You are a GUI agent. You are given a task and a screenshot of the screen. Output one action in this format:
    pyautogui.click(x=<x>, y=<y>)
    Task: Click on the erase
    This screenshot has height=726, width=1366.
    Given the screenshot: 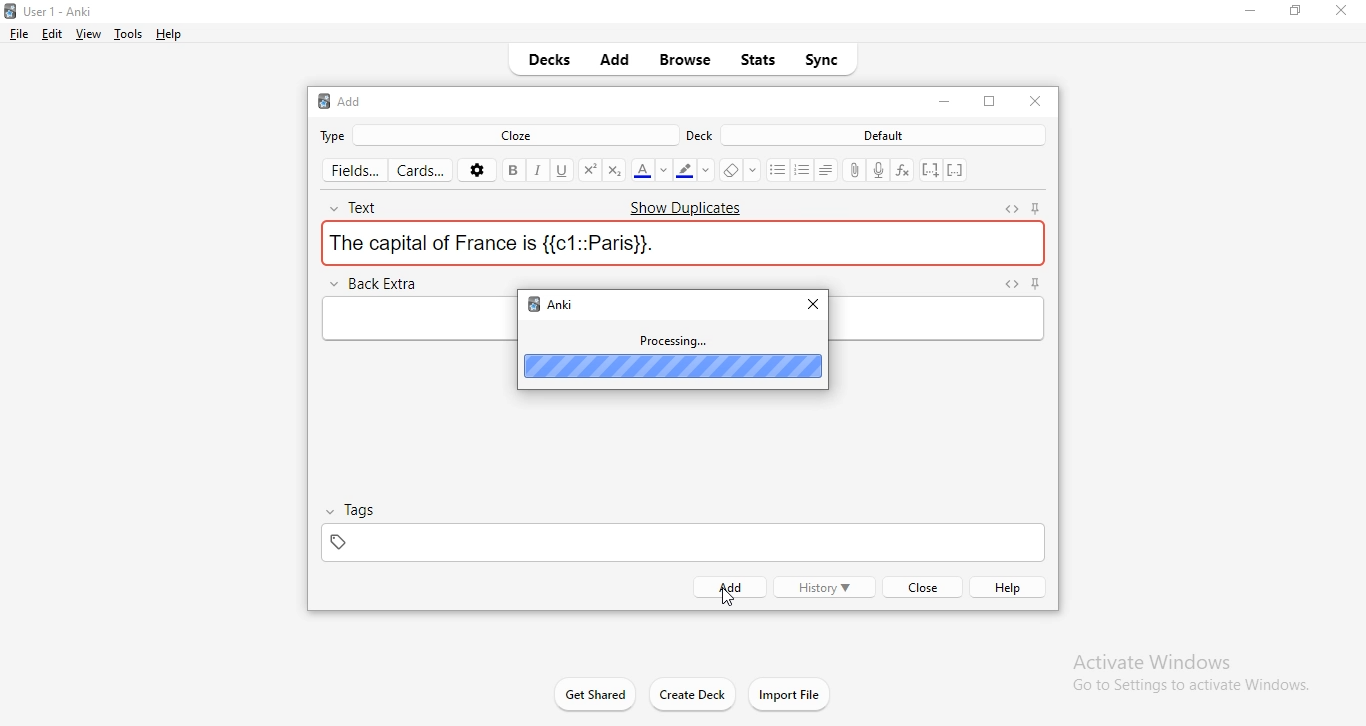 What is the action you would take?
    pyautogui.click(x=738, y=171)
    